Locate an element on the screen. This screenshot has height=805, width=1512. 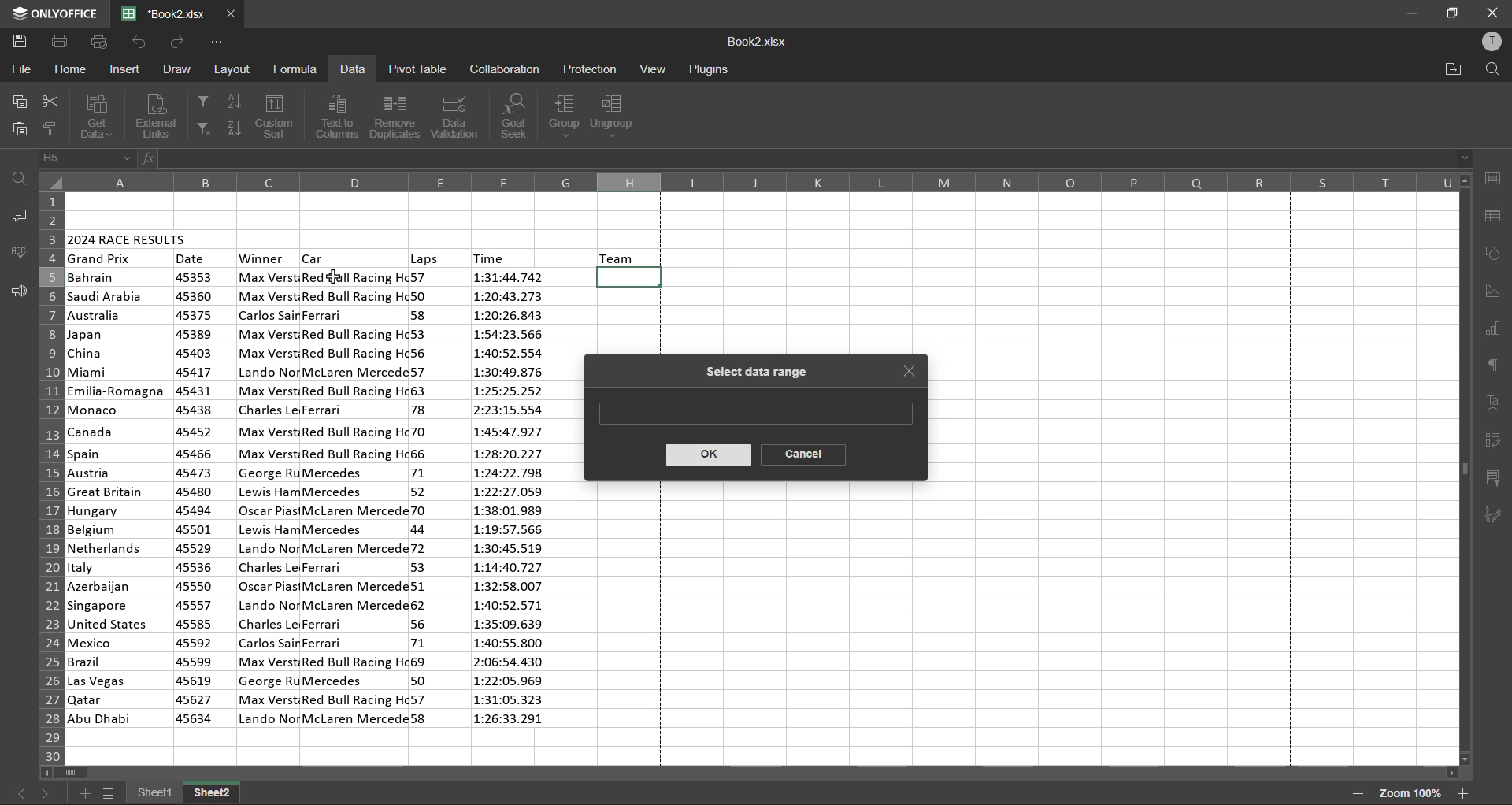
collaboration is located at coordinates (504, 69).